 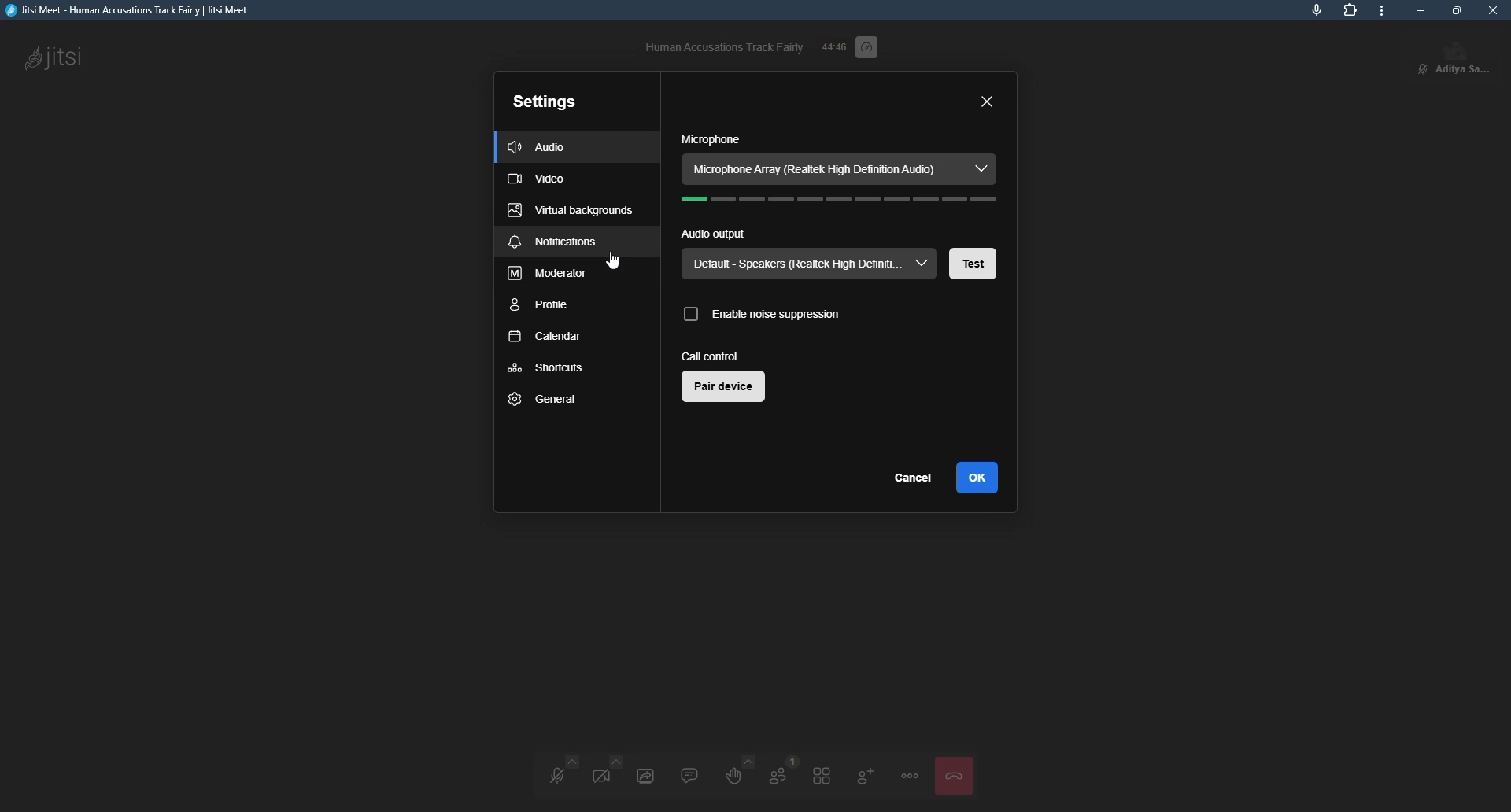 I want to click on jitsi, so click(x=57, y=58).